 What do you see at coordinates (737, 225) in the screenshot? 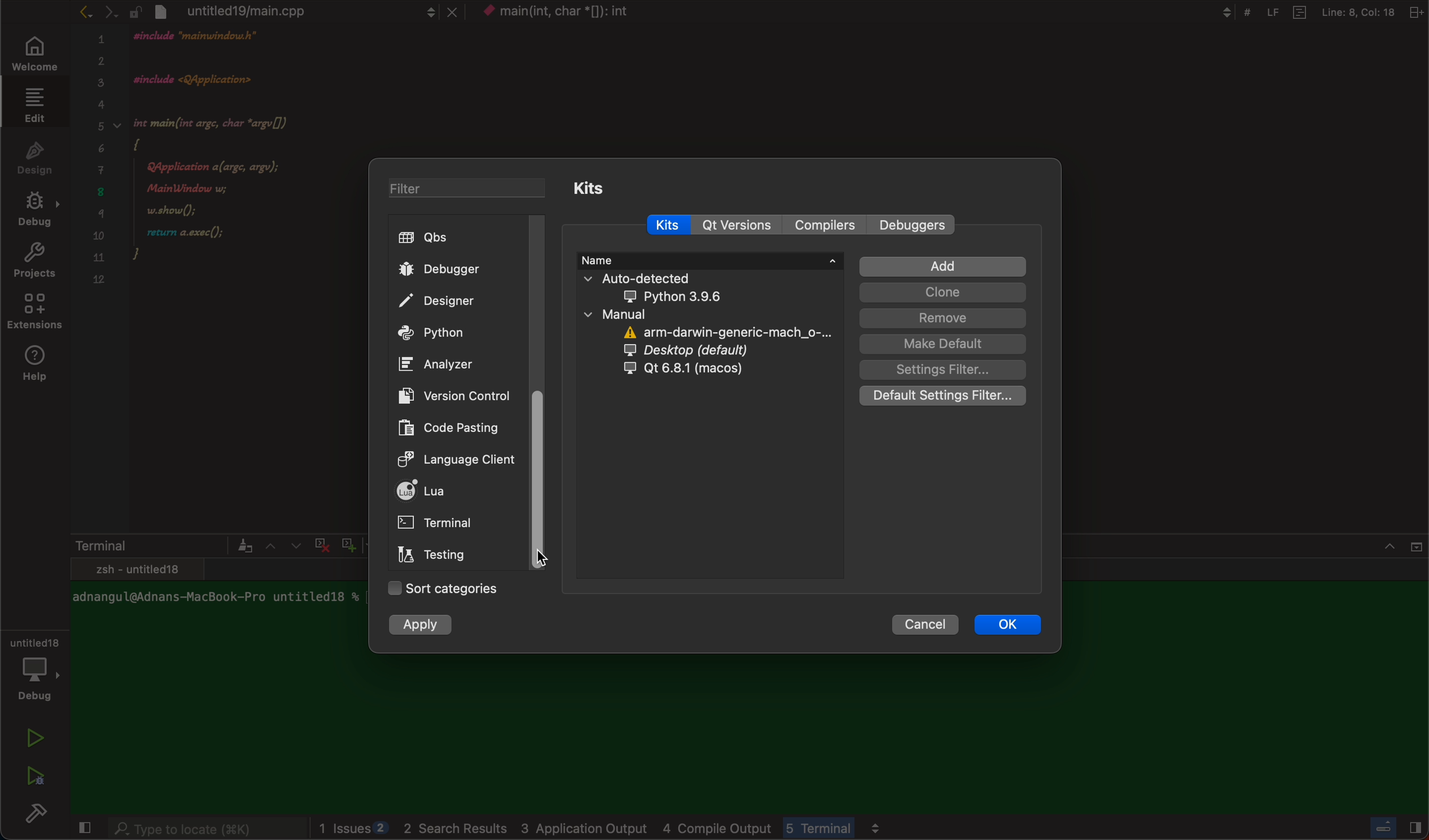
I see `qt versions` at bounding box center [737, 225].